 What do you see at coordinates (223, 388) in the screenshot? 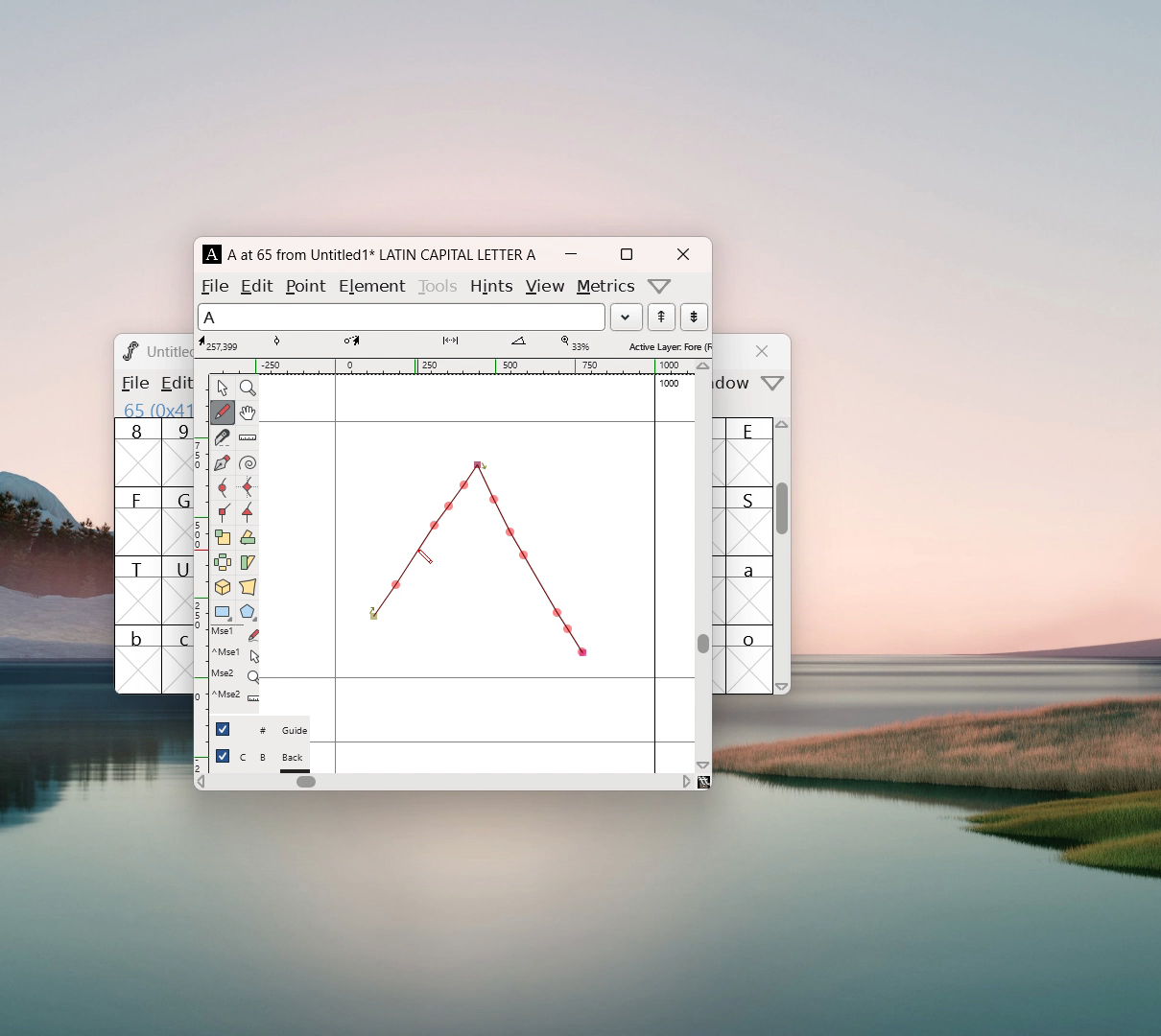
I see `pointer` at bounding box center [223, 388].